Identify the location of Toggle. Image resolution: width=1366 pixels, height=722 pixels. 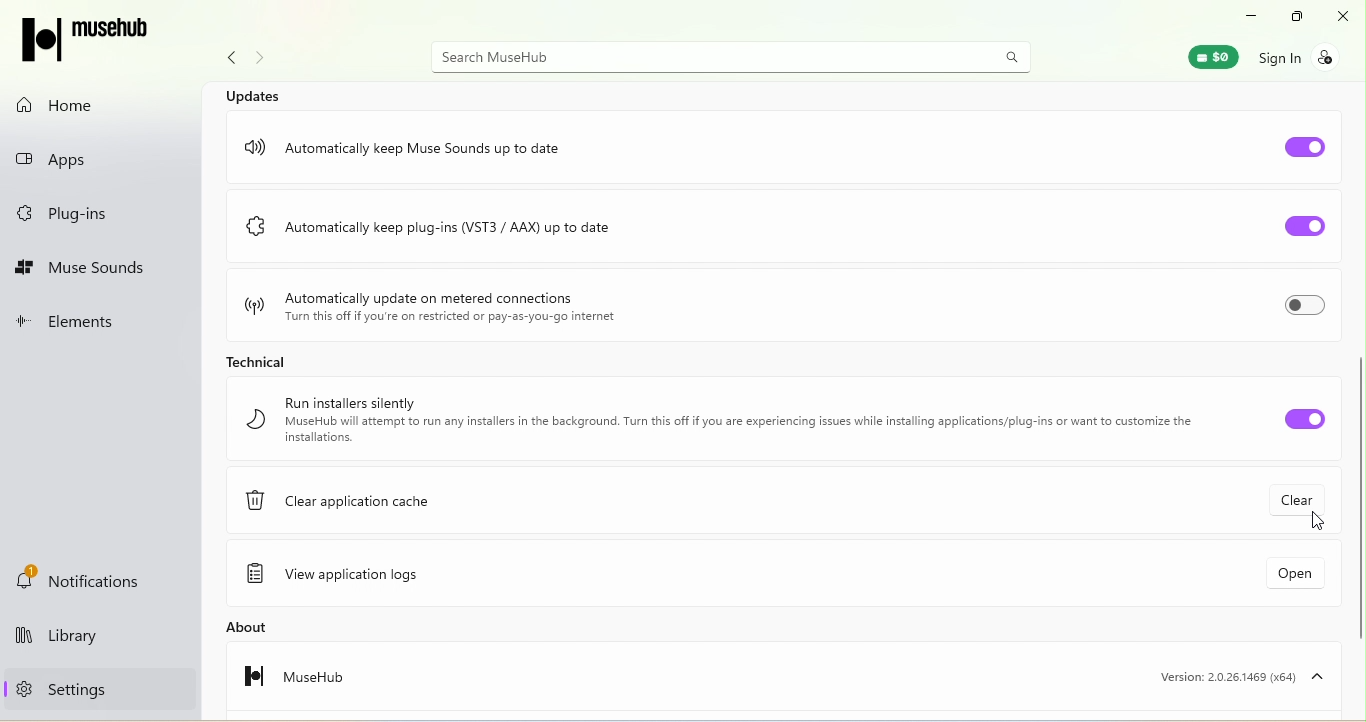
(1303, 309).